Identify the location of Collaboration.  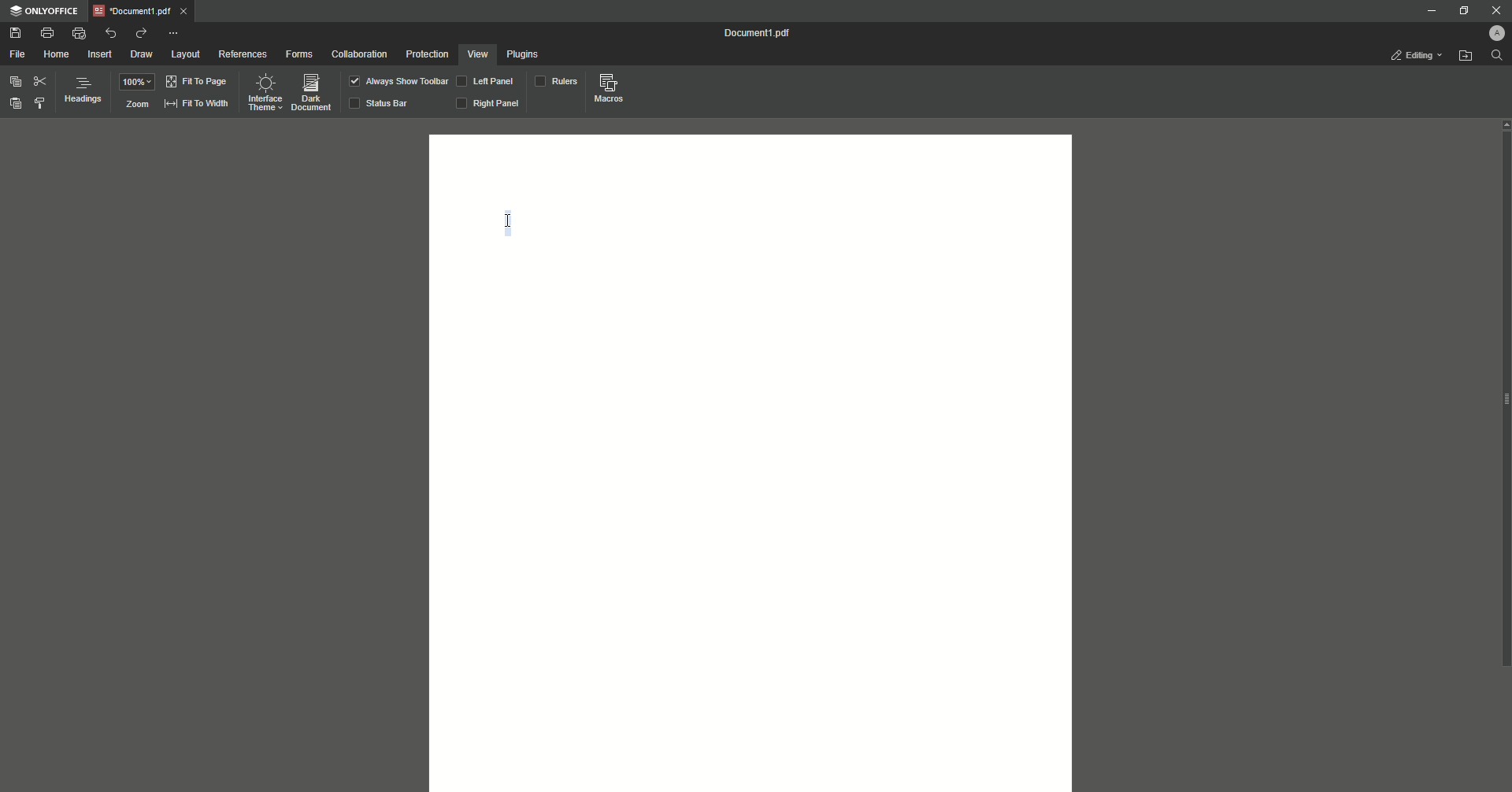
(361, 54).